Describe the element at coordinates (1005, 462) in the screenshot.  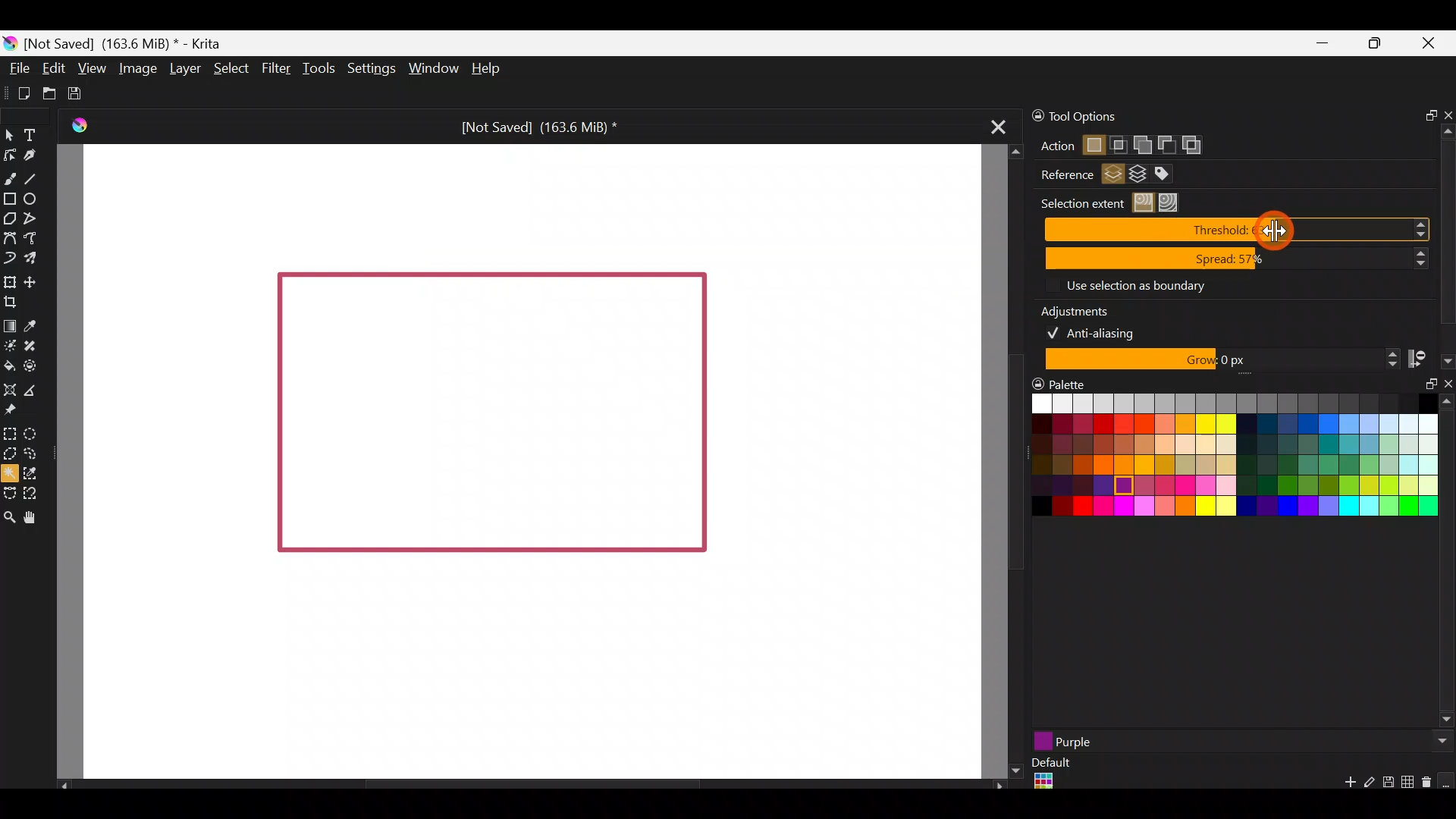
I see `Scroll bar` at that location.